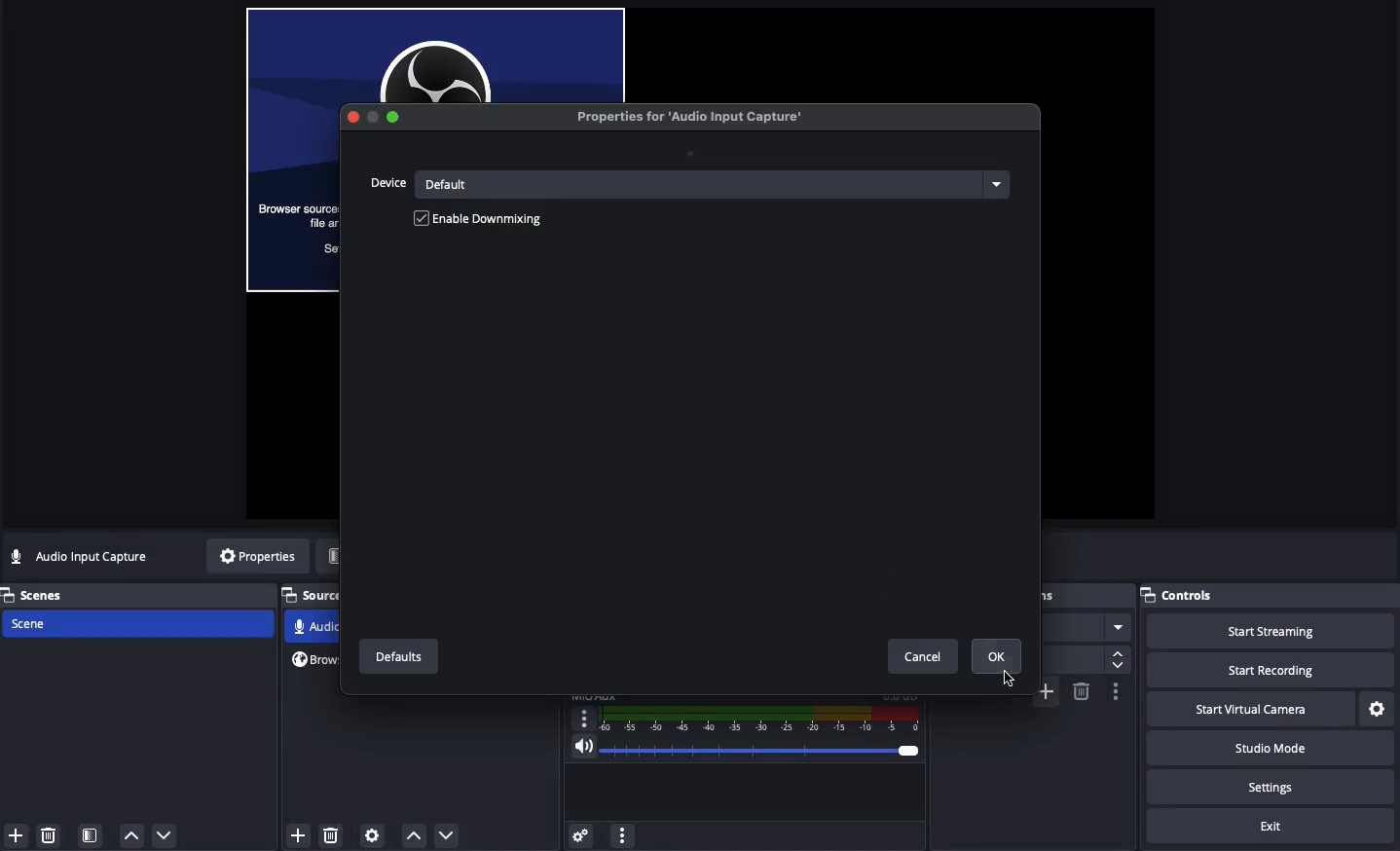 The height and width of the screenshot is (851, 1400). Describe the element at coordinates (313, 597) in the screenshot. I see `Sources` at that location.